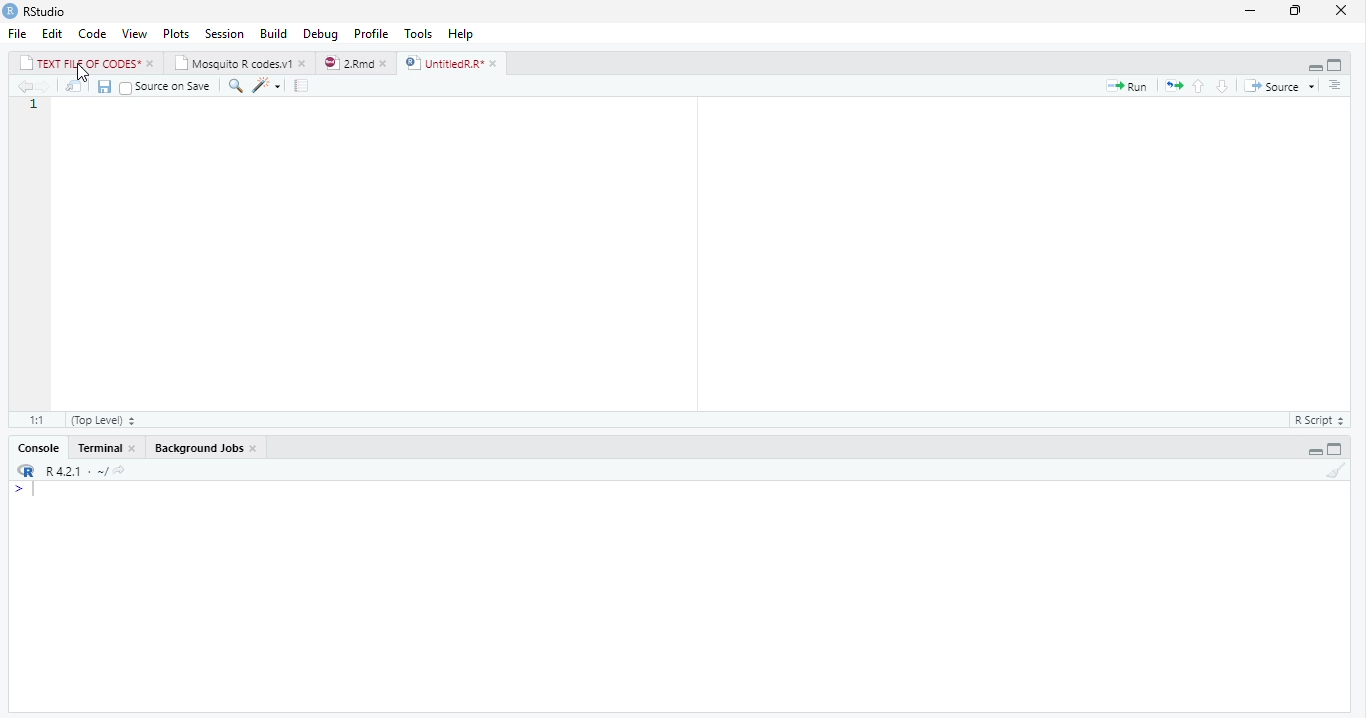 The width and height of the screenshot is (1366, 718). Describe the element at coordinates (168, 87) in the screenshot. I see `source on save` at that location.